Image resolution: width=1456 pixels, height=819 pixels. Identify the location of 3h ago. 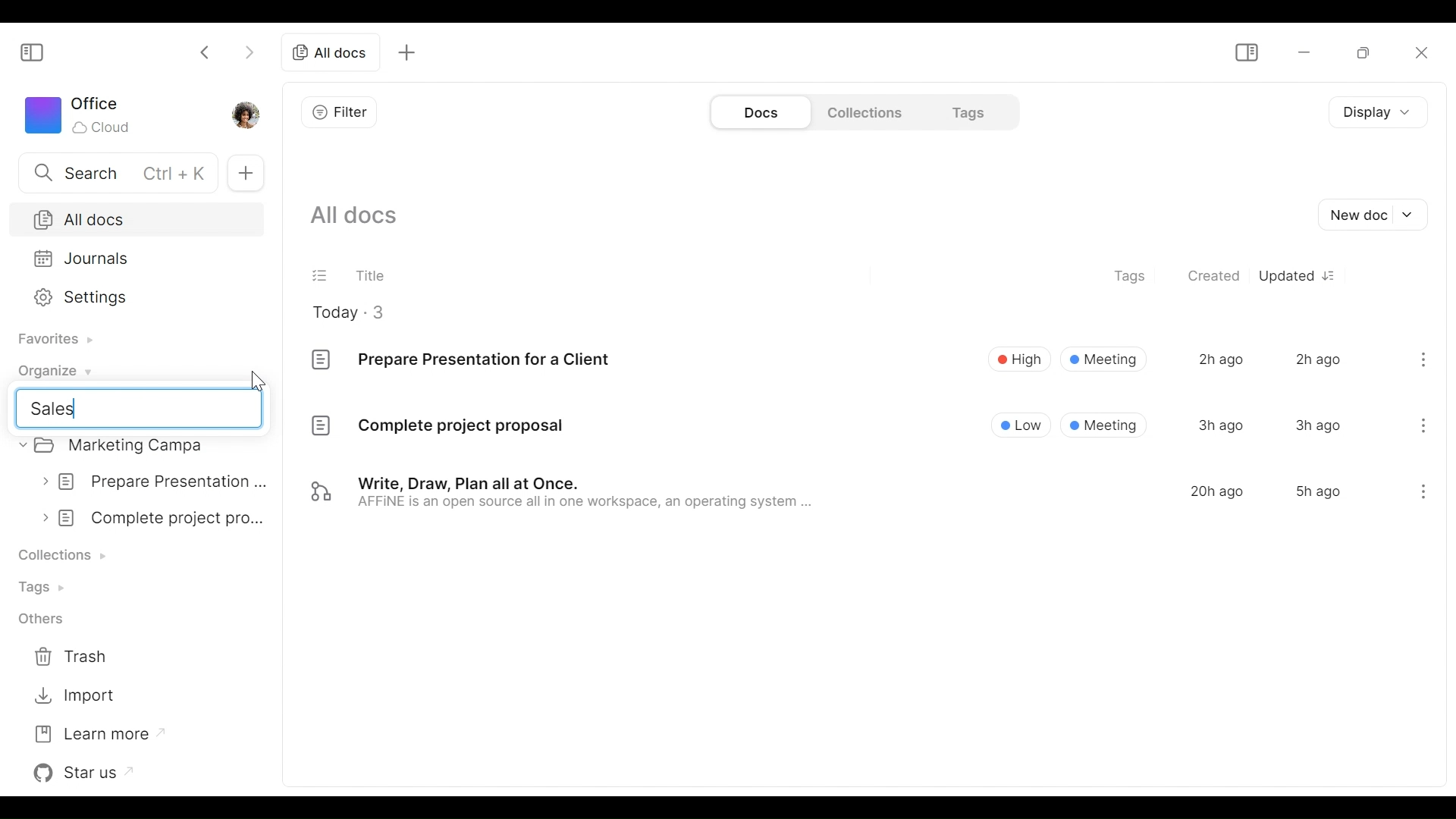
(1317, 425).